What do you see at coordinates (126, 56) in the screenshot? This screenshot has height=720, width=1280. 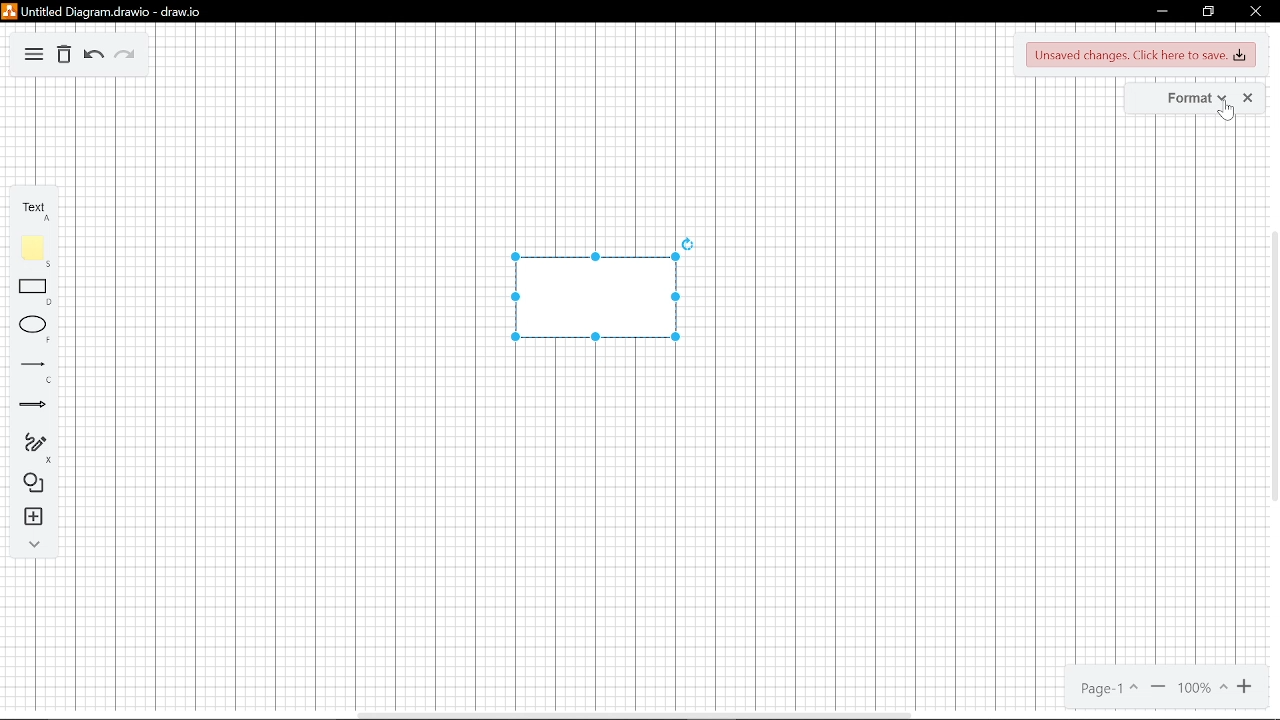 I see `forward` at bounding box center [126, 56].